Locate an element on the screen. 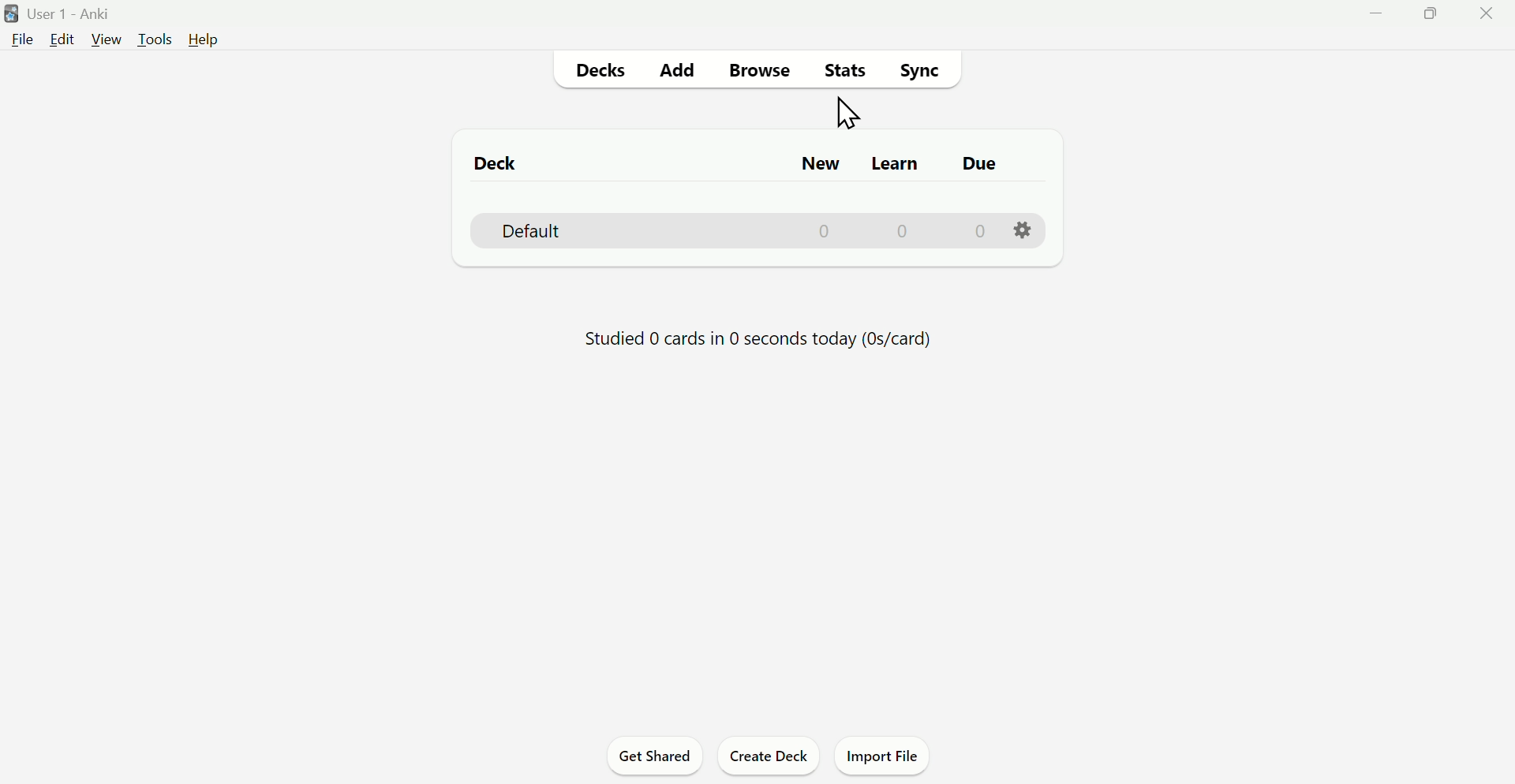 The image size is (1515, 784). Settings is located at coordinates (1027, 229).